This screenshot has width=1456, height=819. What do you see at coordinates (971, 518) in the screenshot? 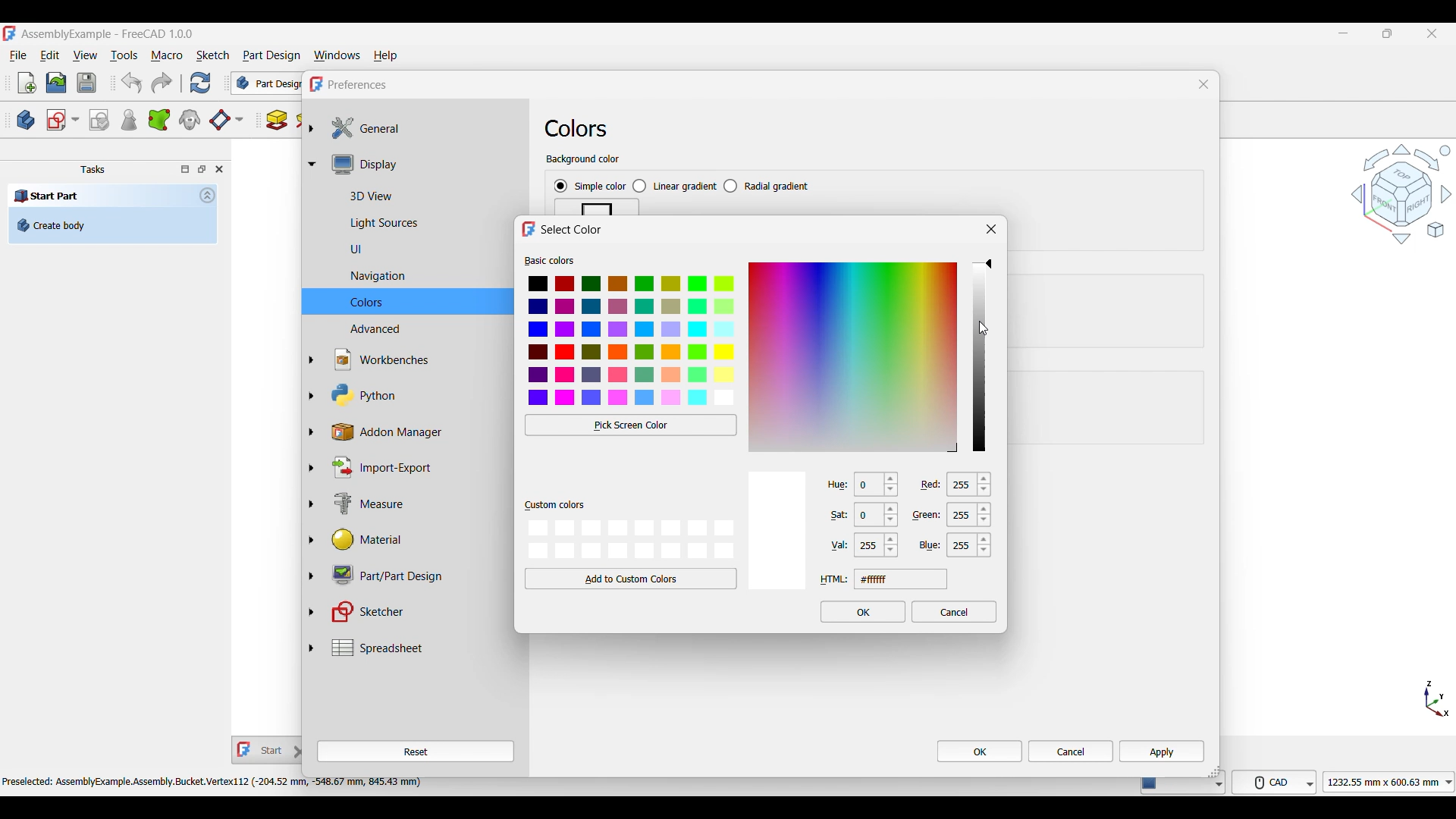
I see `255` at bounding box center [971, 518].